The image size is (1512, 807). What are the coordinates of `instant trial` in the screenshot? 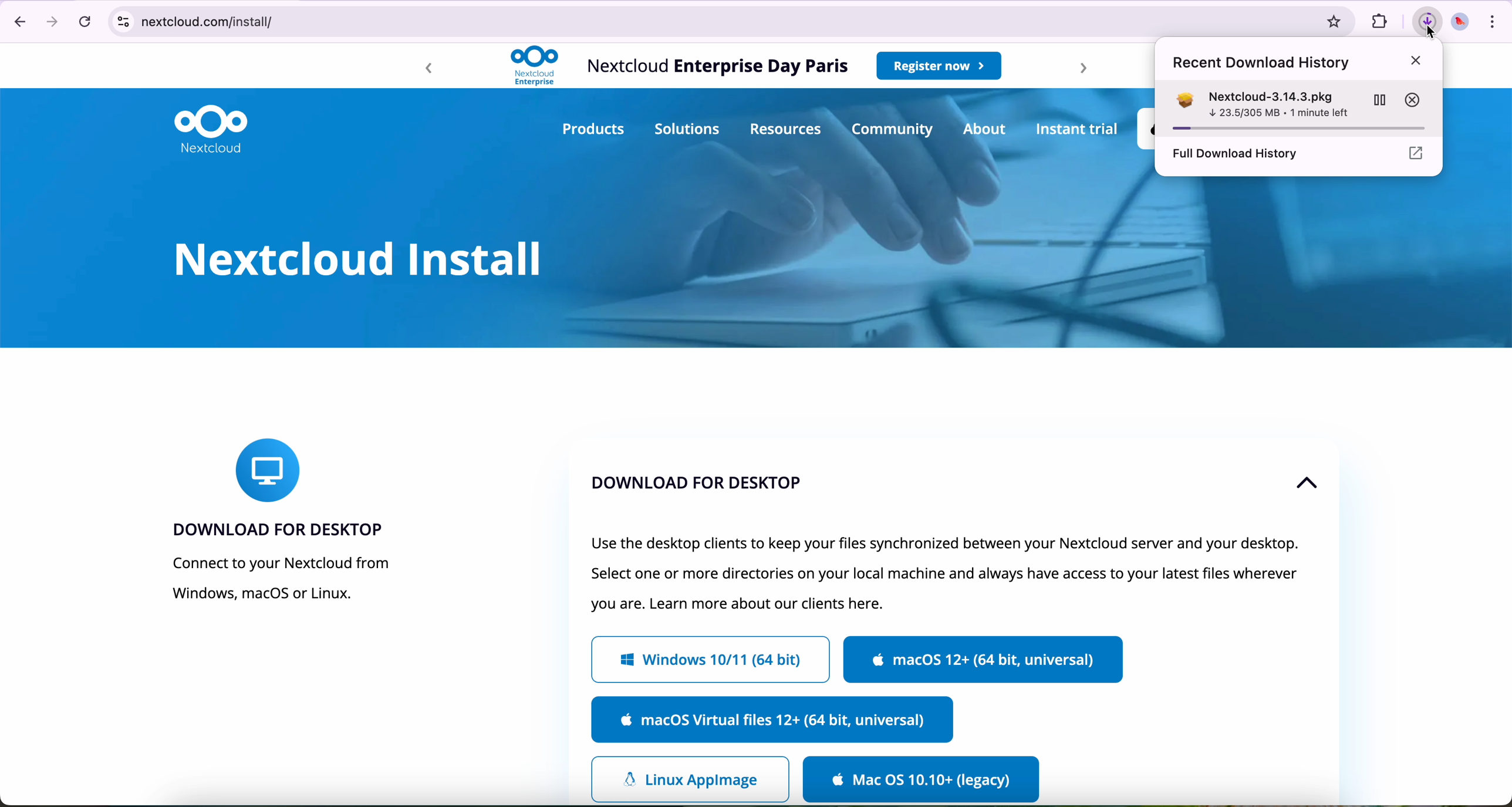 It's located at (1078, 130).